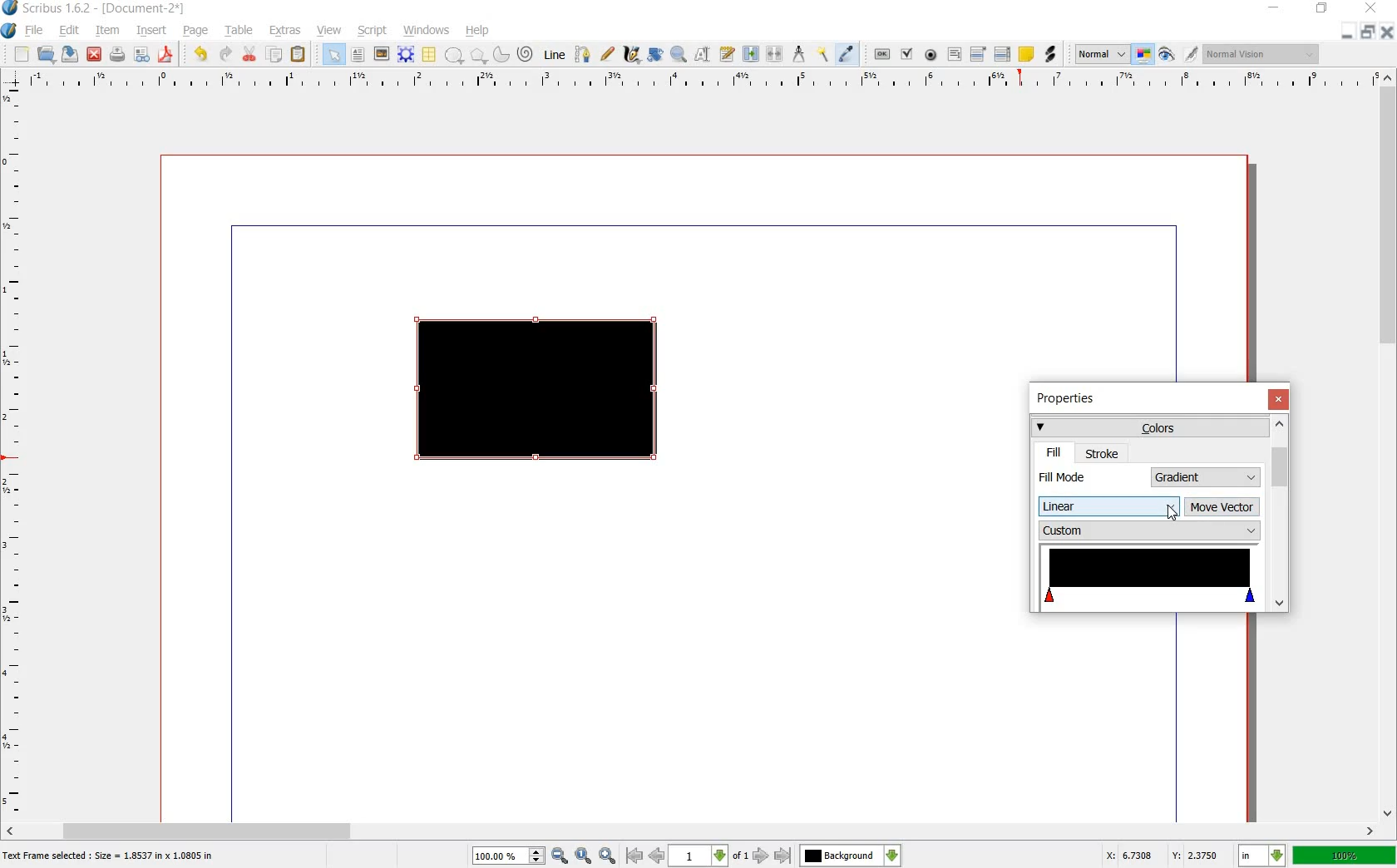 Image resolution: width=1397 pixels, height=868 pixels. What do you see at coordinates (454, 56) in the screenshot?
I see `shape` at bounding box center [454, 56].